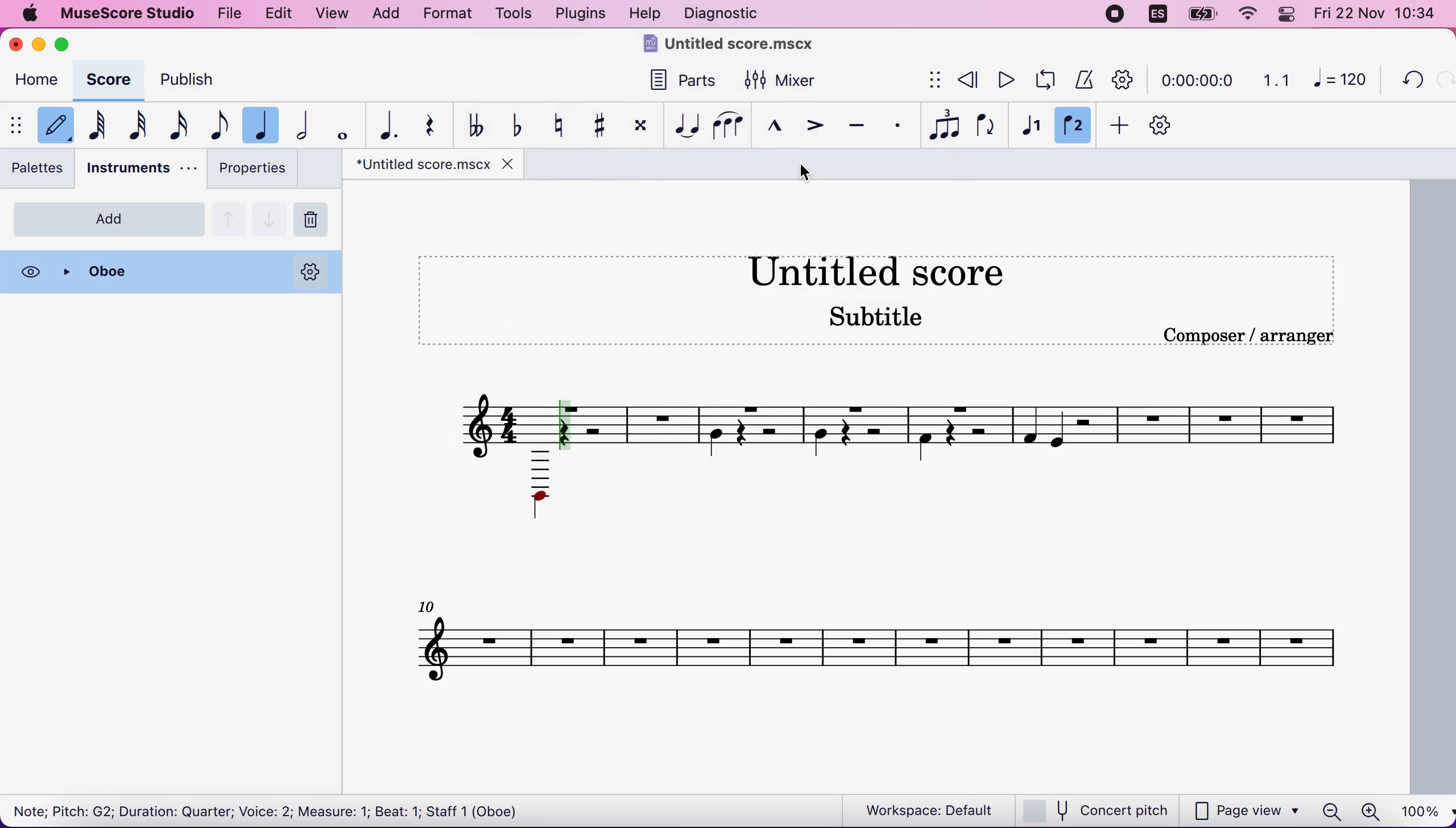  What do you see at coordinates (35, 15) in the screenshot?
I see `apple logo` at bounding box center [35, 15].